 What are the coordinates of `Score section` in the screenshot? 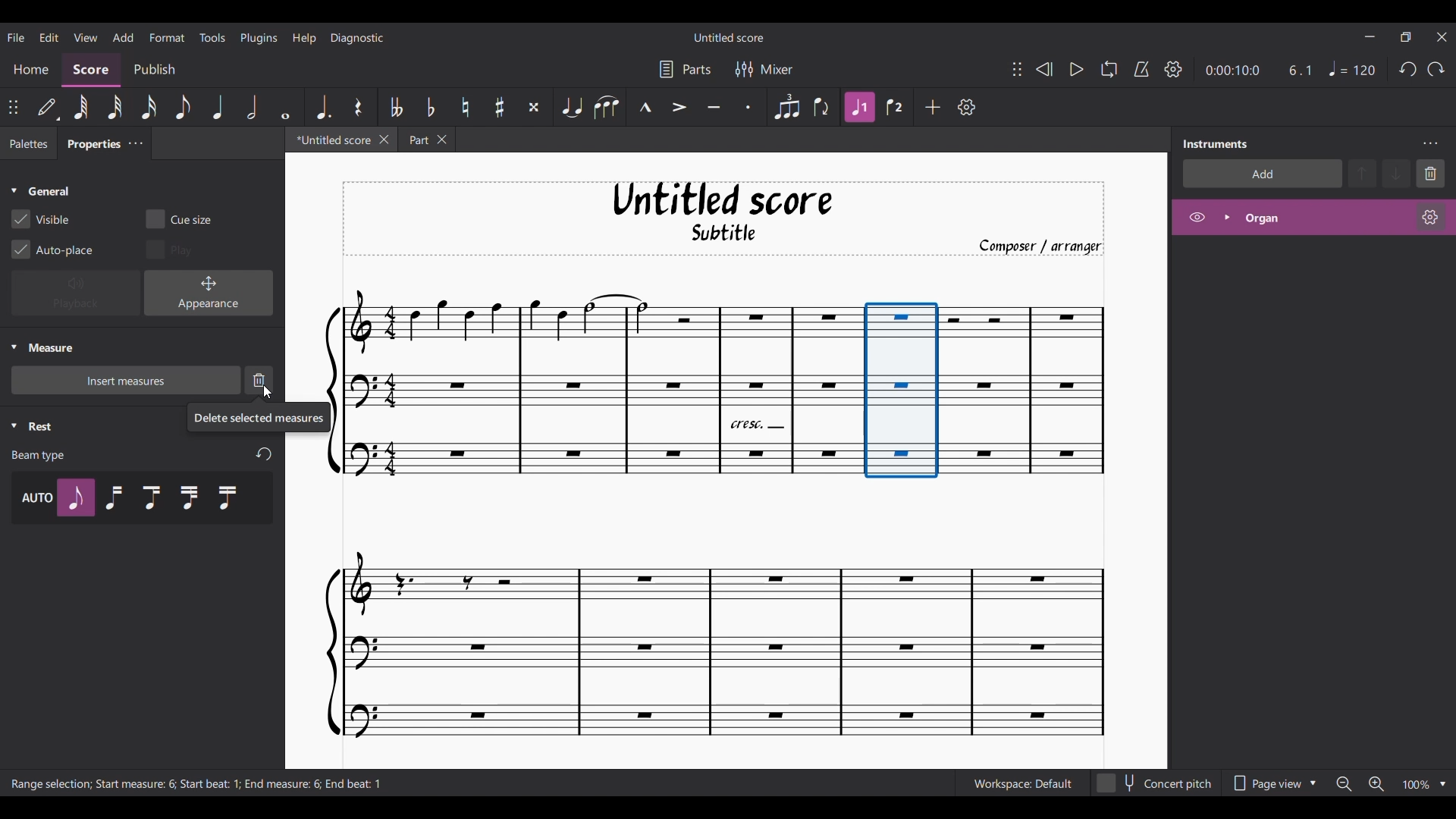 It's located at (90, 71).